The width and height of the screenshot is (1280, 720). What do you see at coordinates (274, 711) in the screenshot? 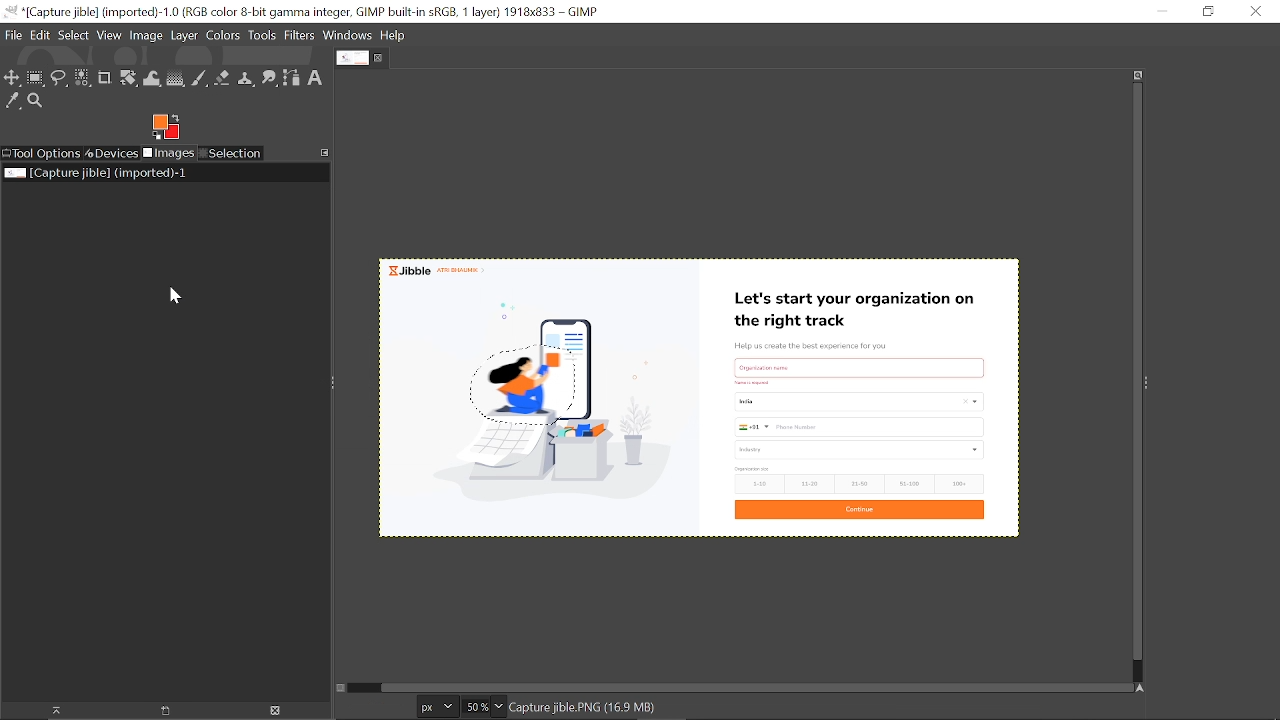
I see `Delete` at bounding box center [274, 711].